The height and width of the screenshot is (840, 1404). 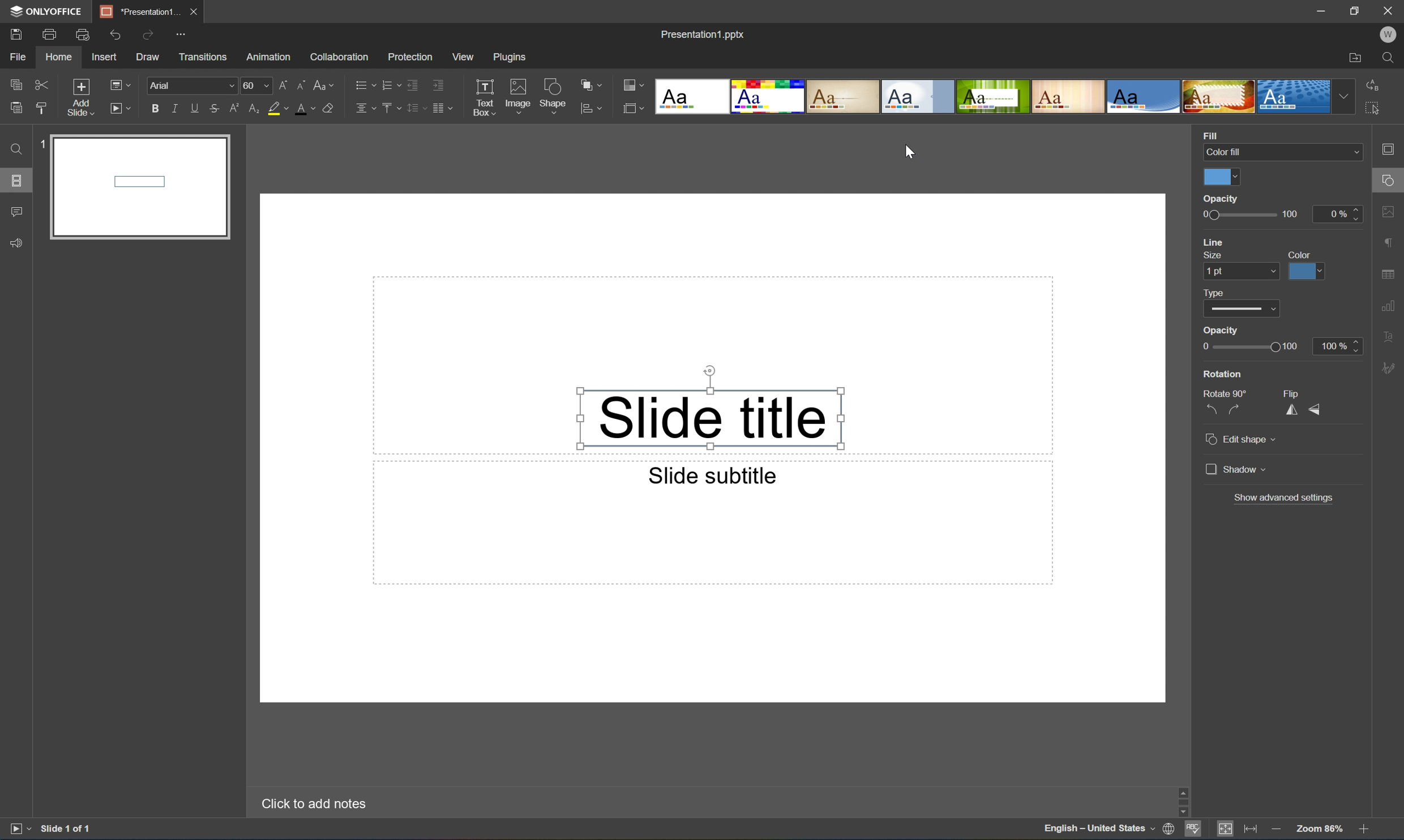 I want to click on Change case, so click(x=327, y=85).